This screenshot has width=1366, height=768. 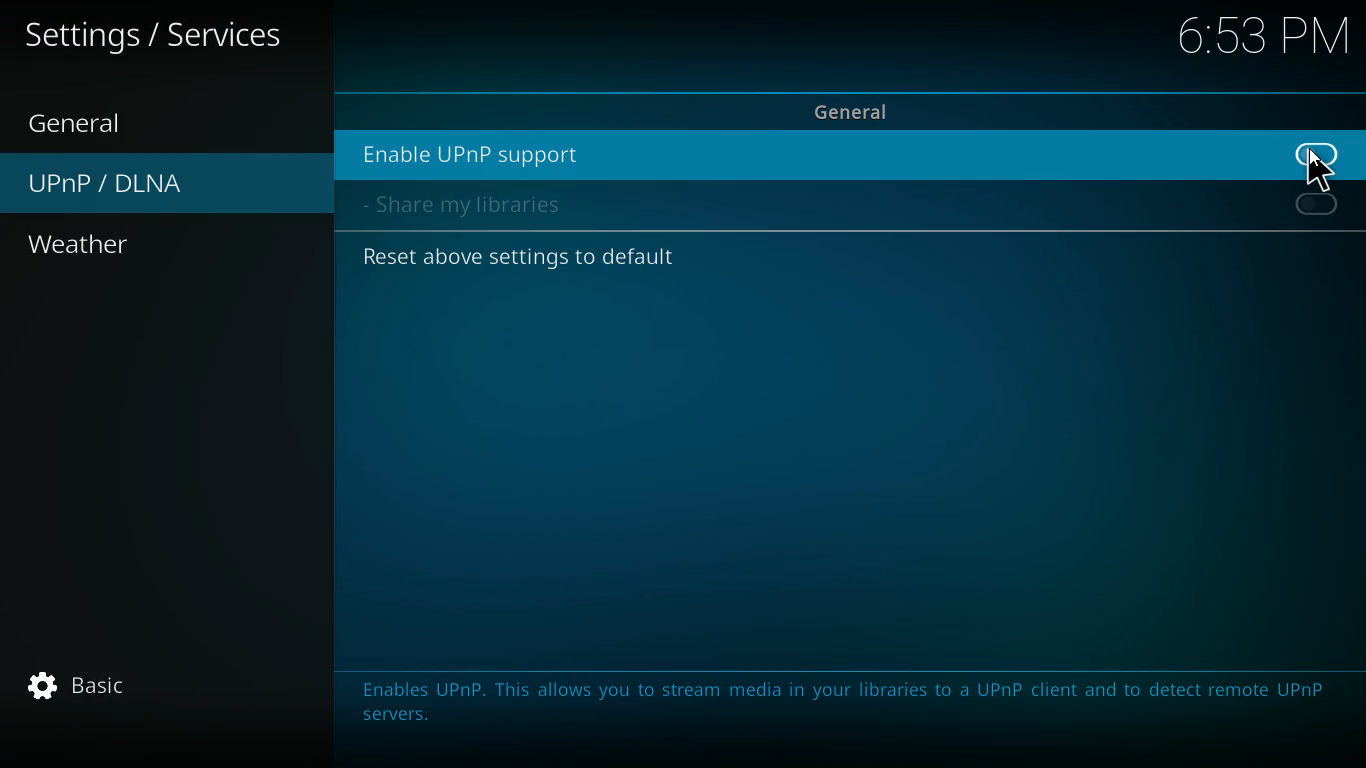 What do you see at coordinates (1319, 168) in the screenshot?
I see `Cursor` at bounding box center [1319, 168].